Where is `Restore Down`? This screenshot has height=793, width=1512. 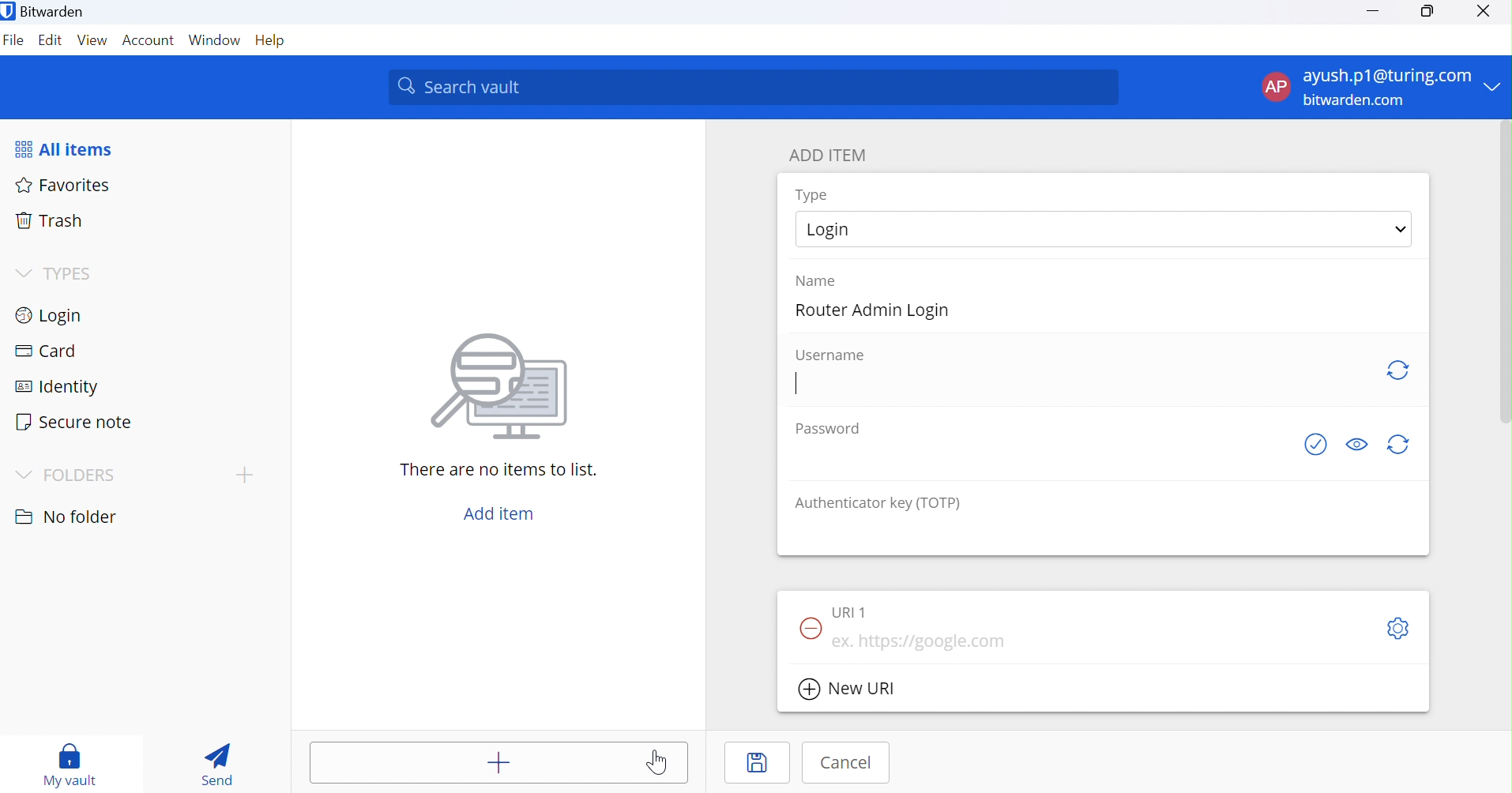 Restore Down is located at coordinates (1427, 12).